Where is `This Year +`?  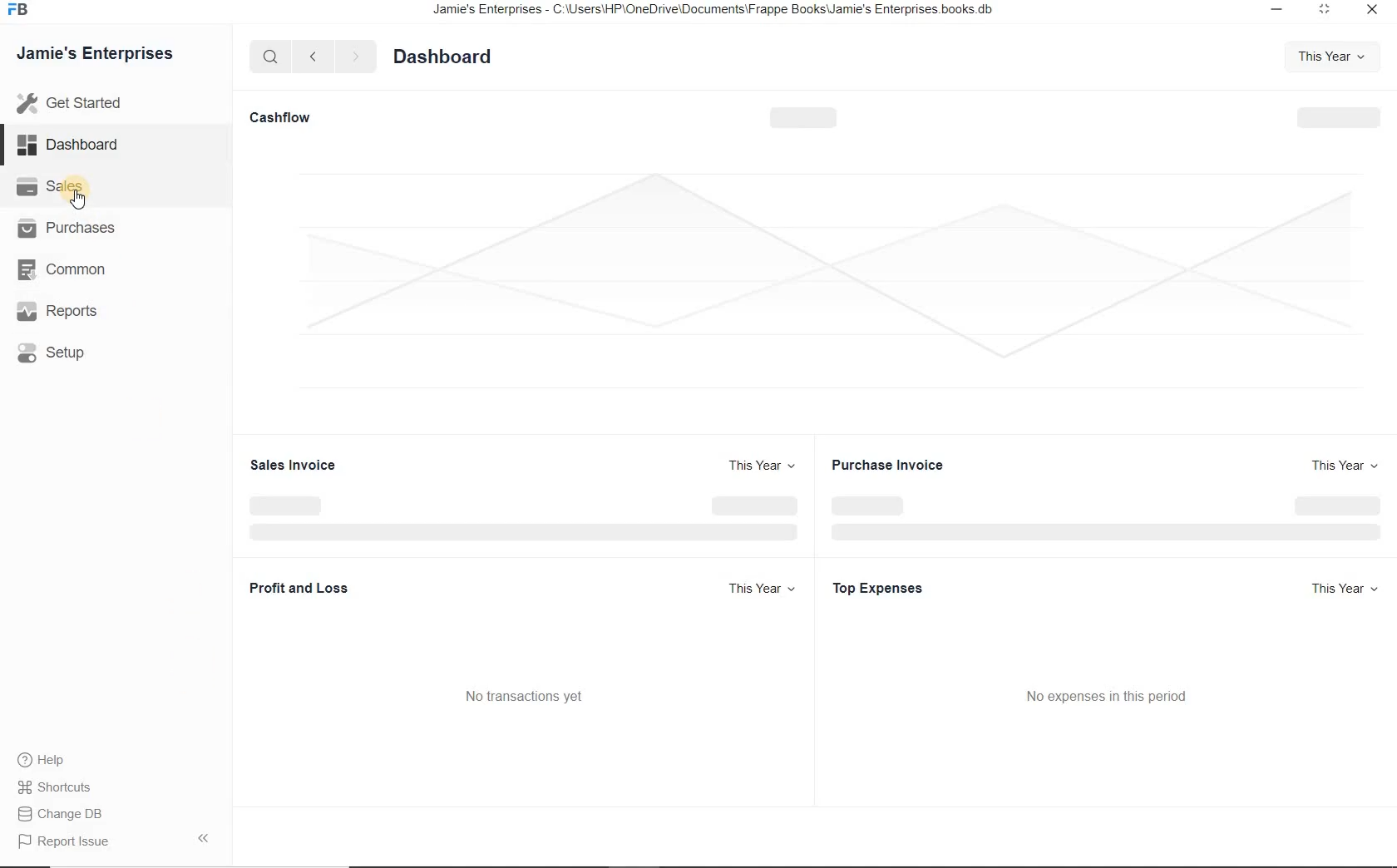
This Year + is located at coordinates (758, 467).